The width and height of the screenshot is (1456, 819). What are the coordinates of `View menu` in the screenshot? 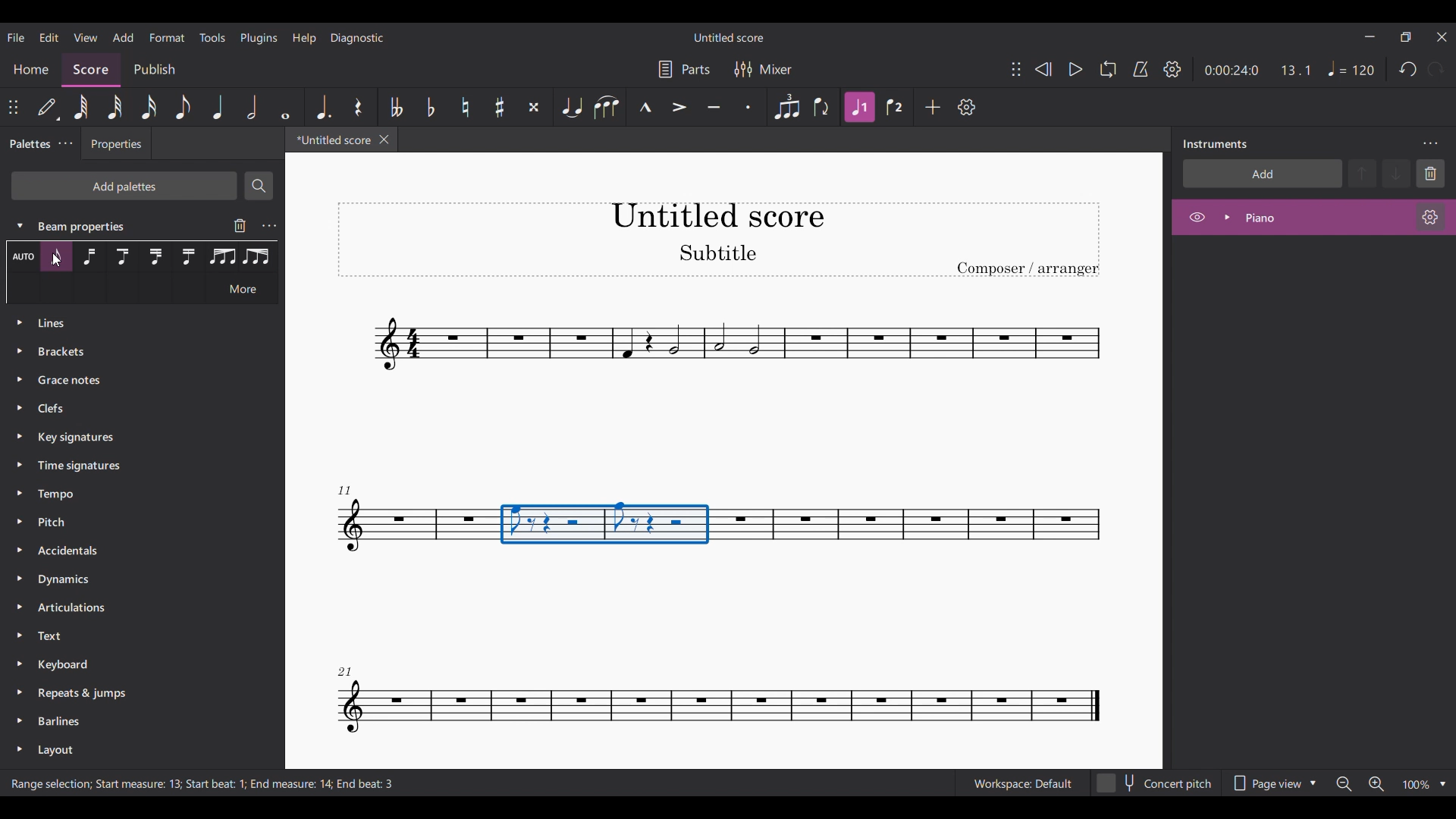 It's located at (85, 37).